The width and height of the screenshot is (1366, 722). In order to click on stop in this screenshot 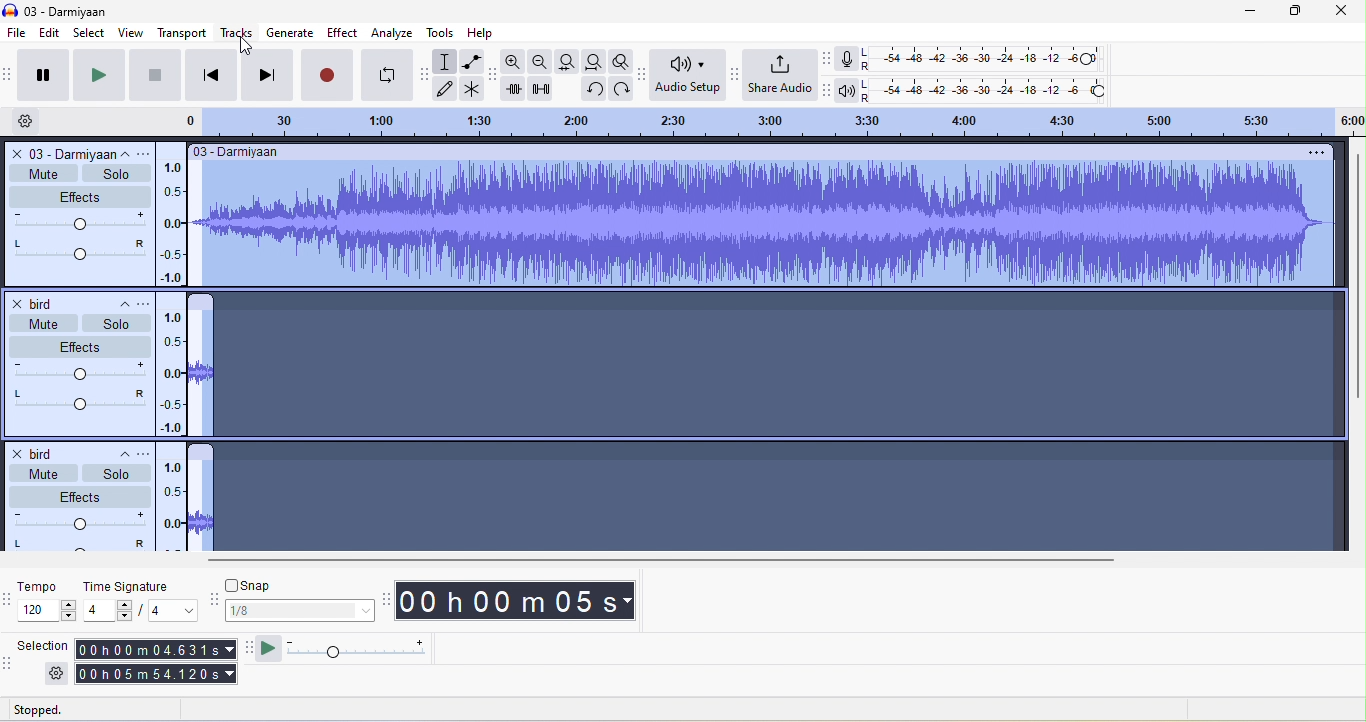, I will do `click(154, 74)`.